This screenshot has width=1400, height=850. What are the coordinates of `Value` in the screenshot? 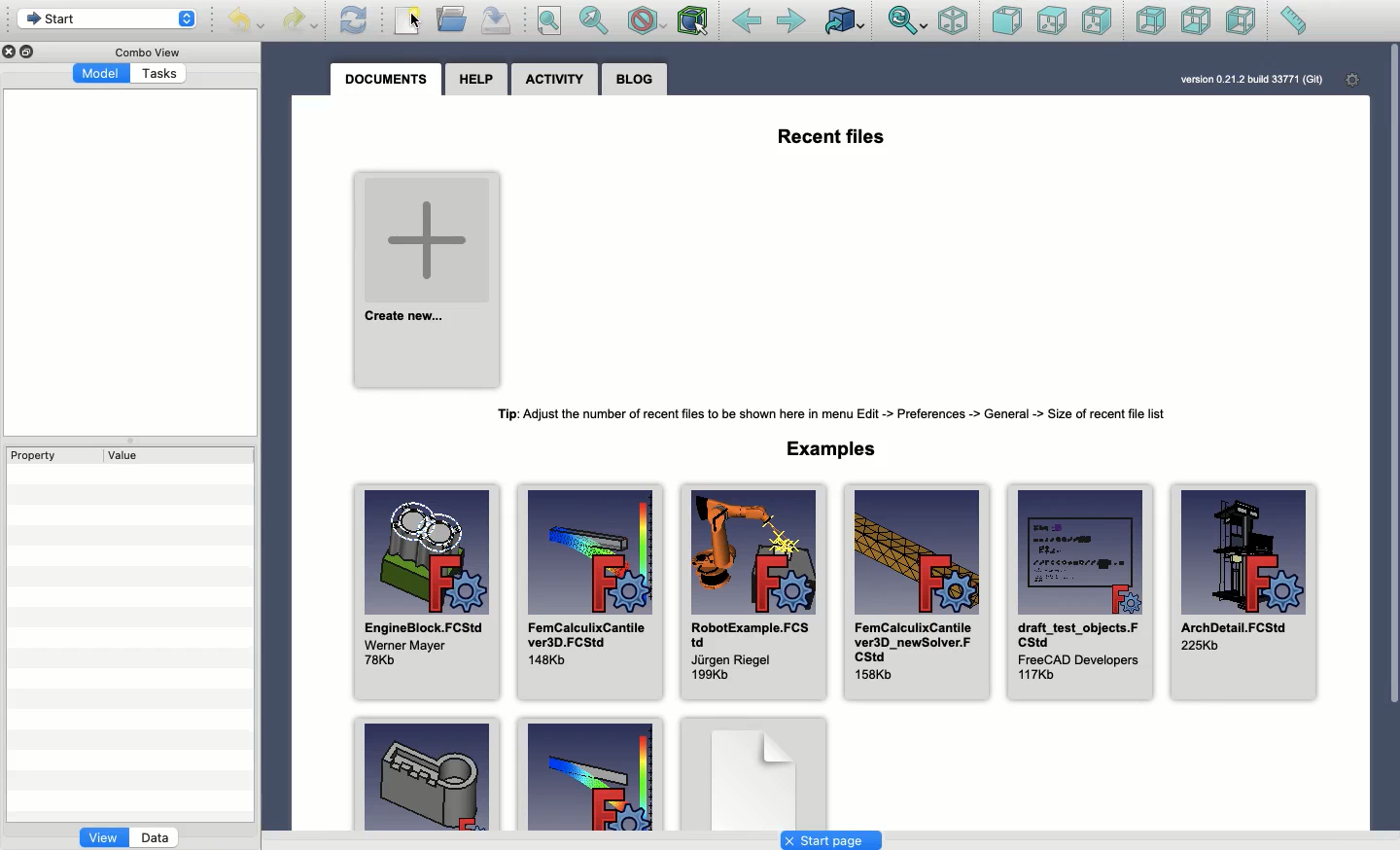 It's located at (126, 455).